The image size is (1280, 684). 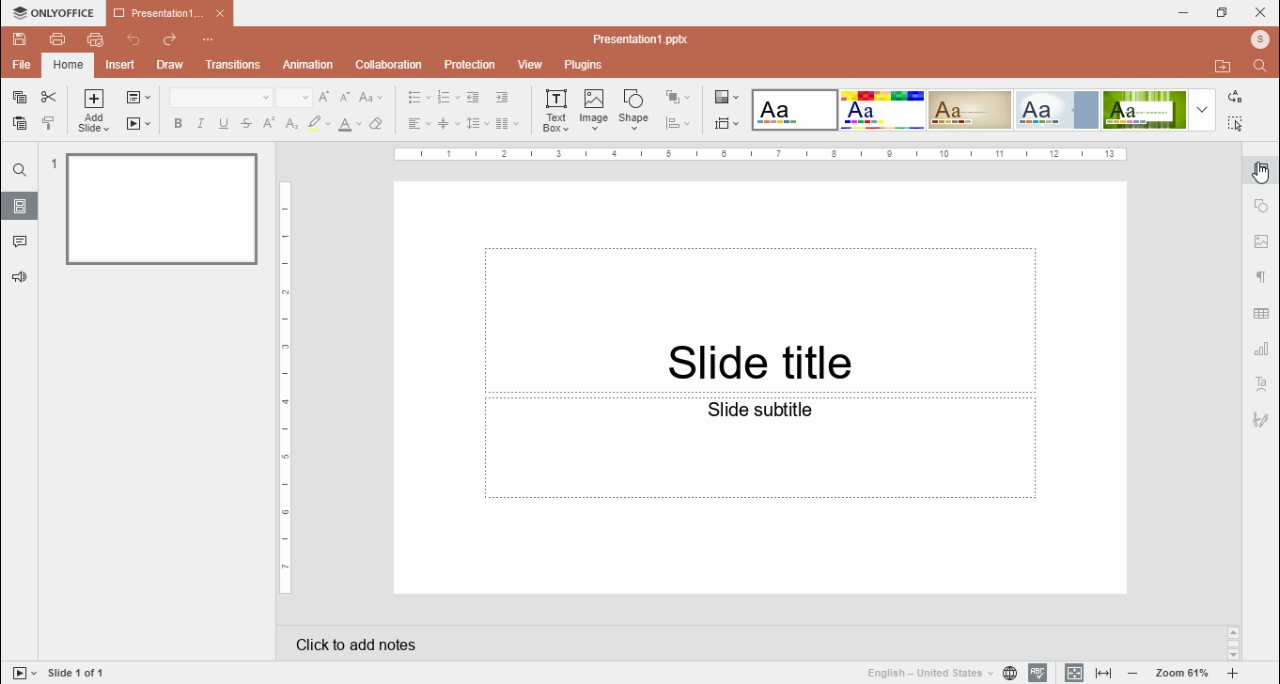 What do you see at coordinates (1263, 206) in the screenshot?
I see `shape settings` at bounding box center [1263, 206].